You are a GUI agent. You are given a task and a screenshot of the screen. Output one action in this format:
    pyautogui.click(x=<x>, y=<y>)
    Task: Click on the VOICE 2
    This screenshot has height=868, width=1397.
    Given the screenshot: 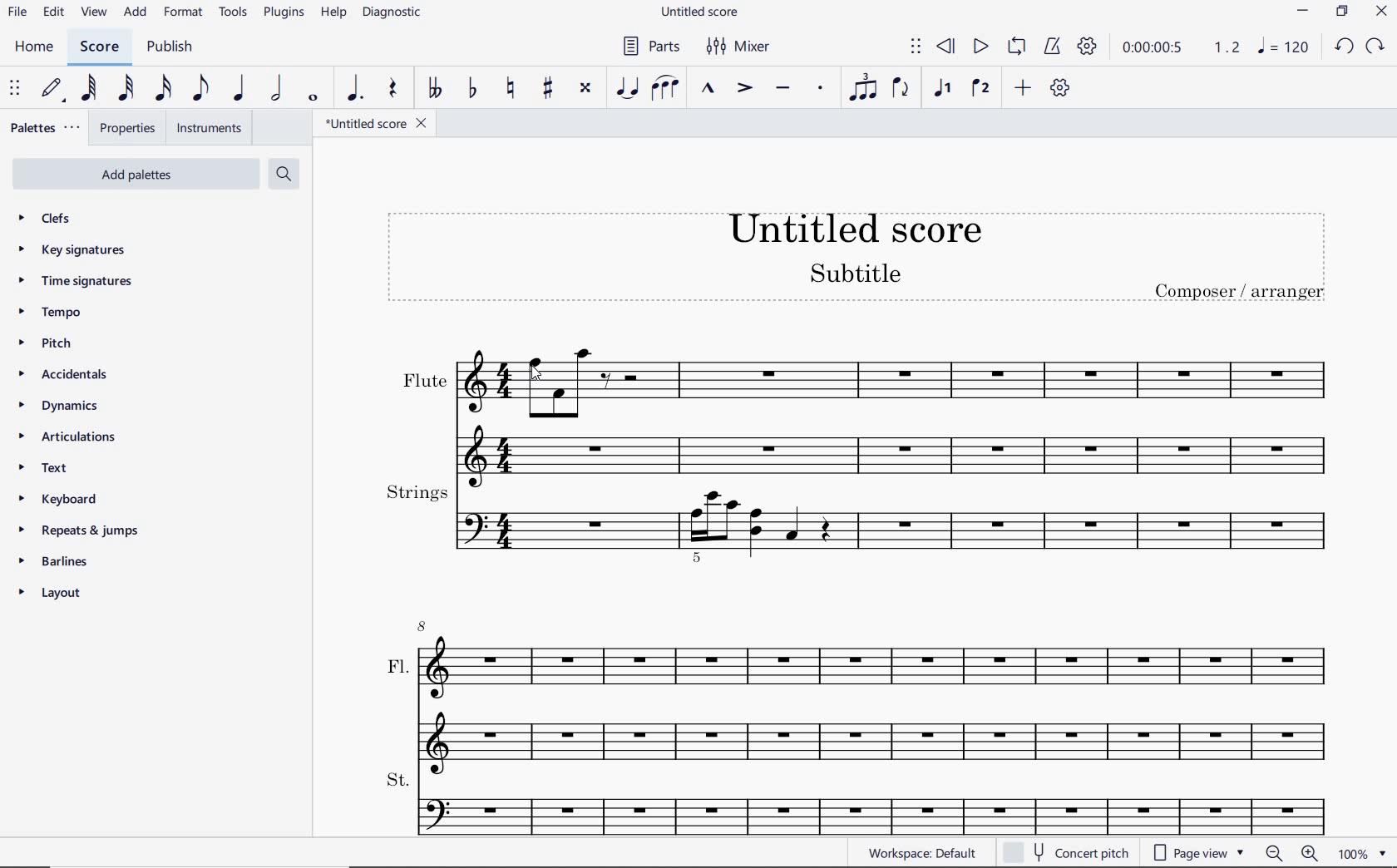 What is the action you would take?
    pyautogui.click(x=980, y=89)
    